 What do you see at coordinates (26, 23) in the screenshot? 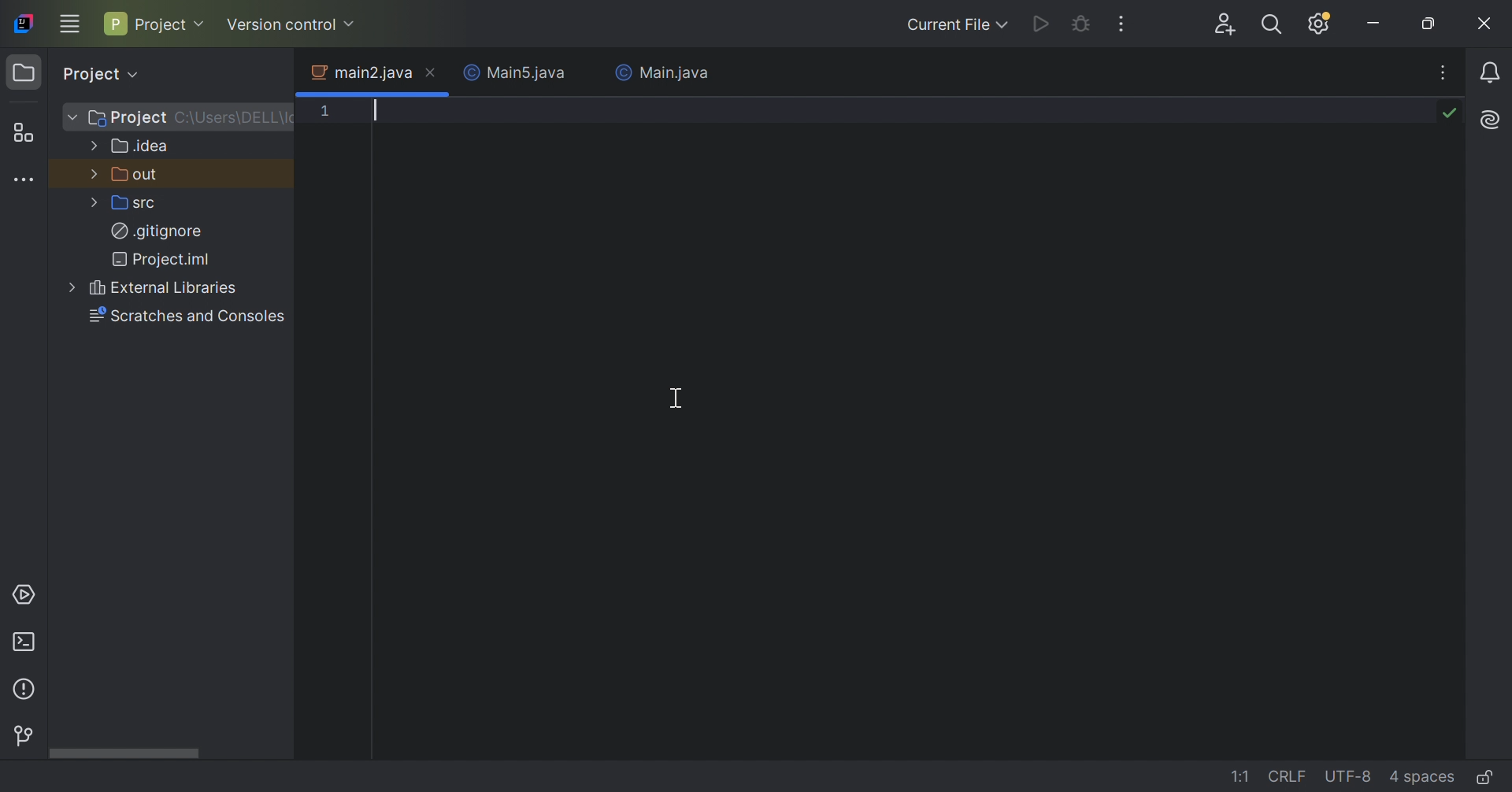
I see `IntelliJ IDEA icon` at bounding box center [26, 23].